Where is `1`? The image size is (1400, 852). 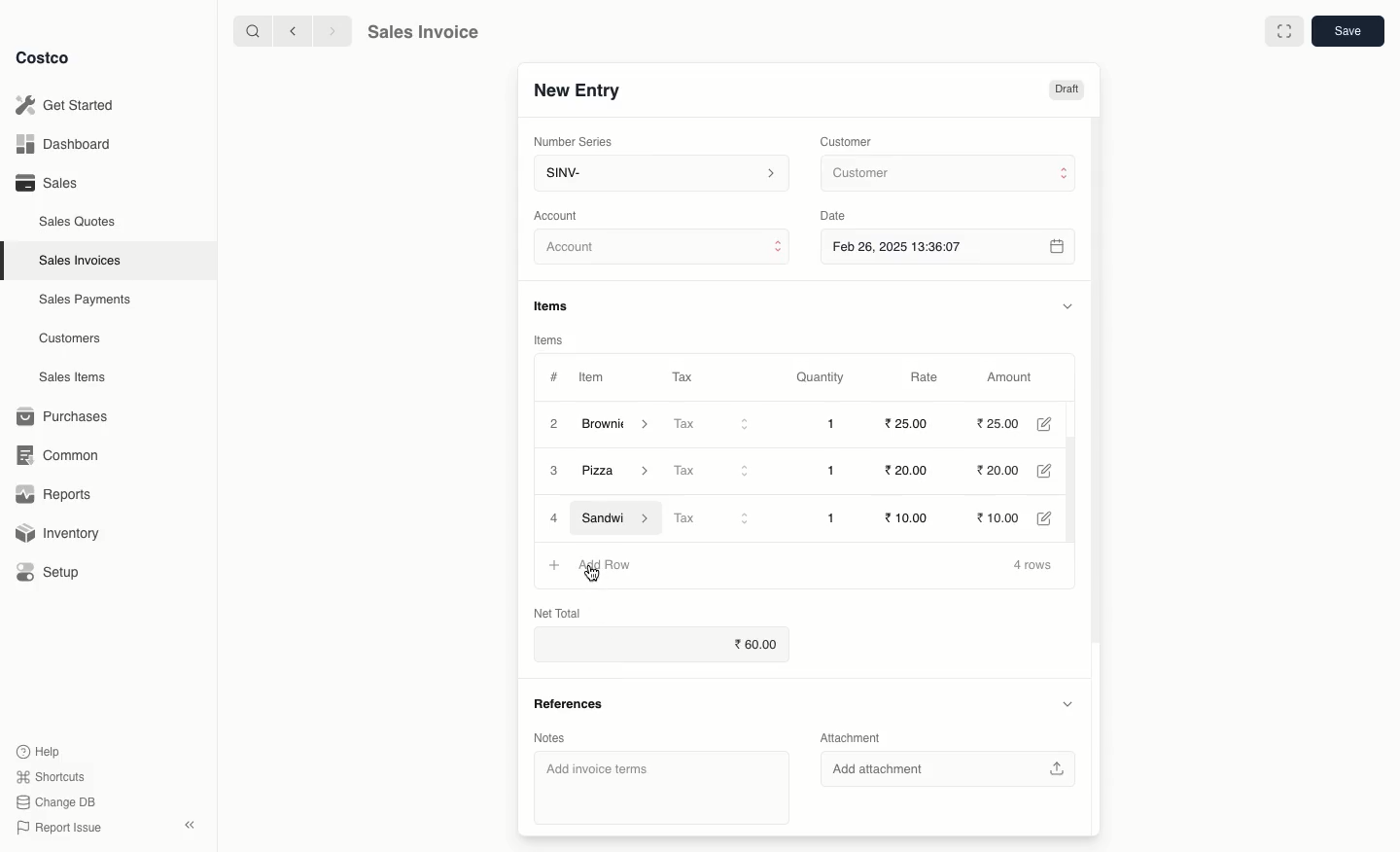 1 is located at coordinates (836, 471).